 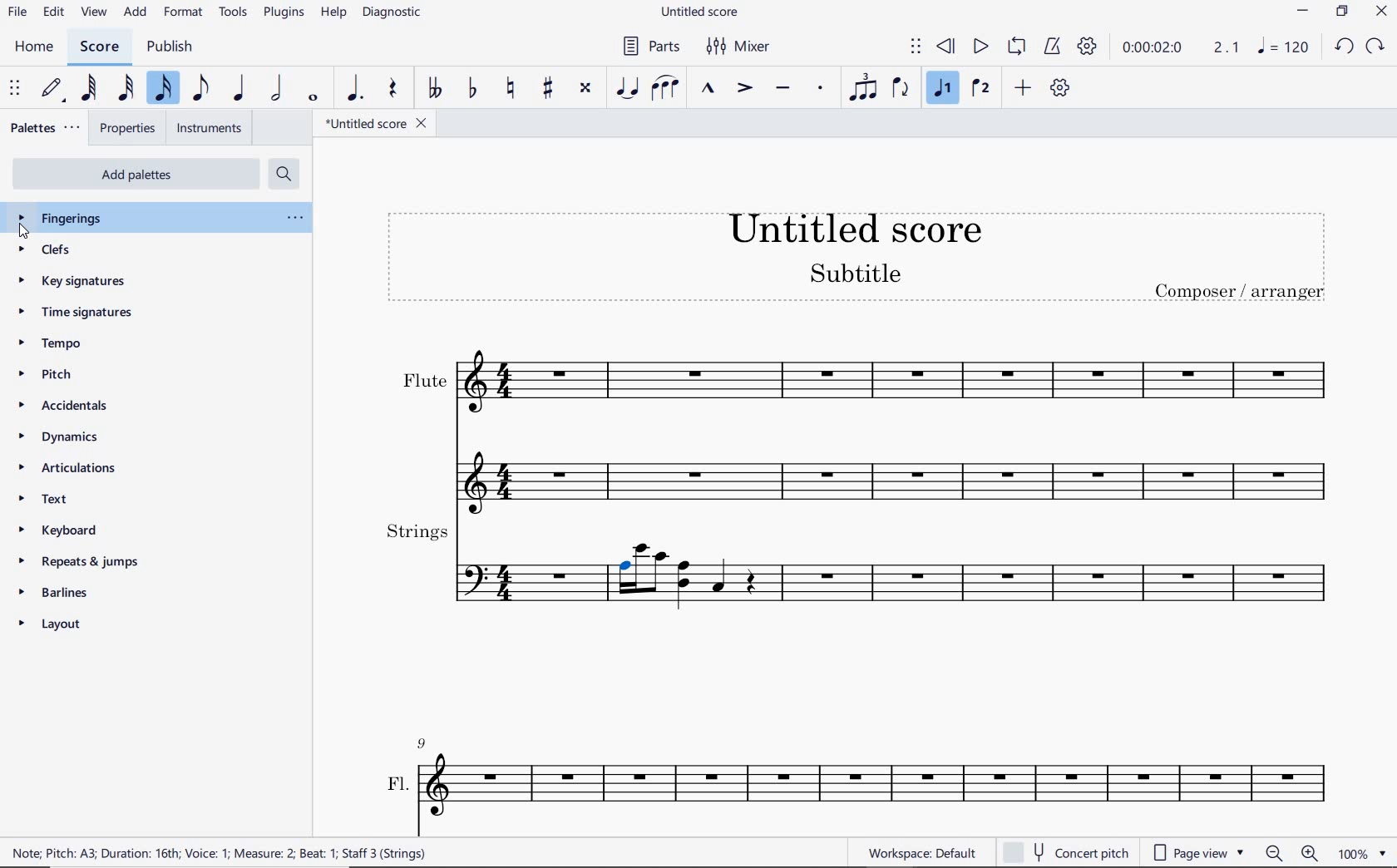 I want to click on play, so click(x=980, y=47).